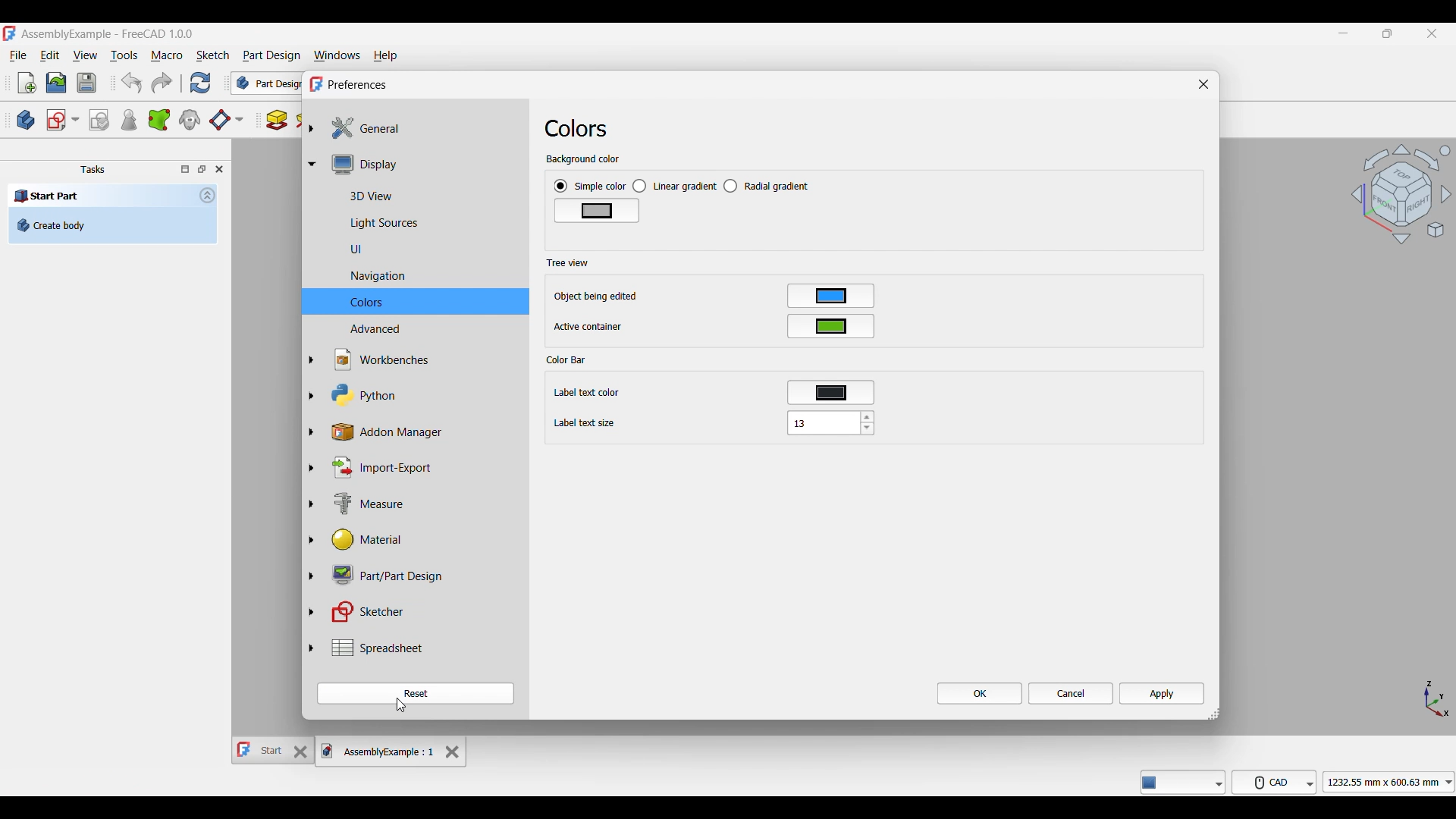 This screenshot has height=819, width=1456. What do you see at coordinates (675, 187) in the screenshot?
I see `Toggle for Linear gradient` at bounding box center [675, 187].